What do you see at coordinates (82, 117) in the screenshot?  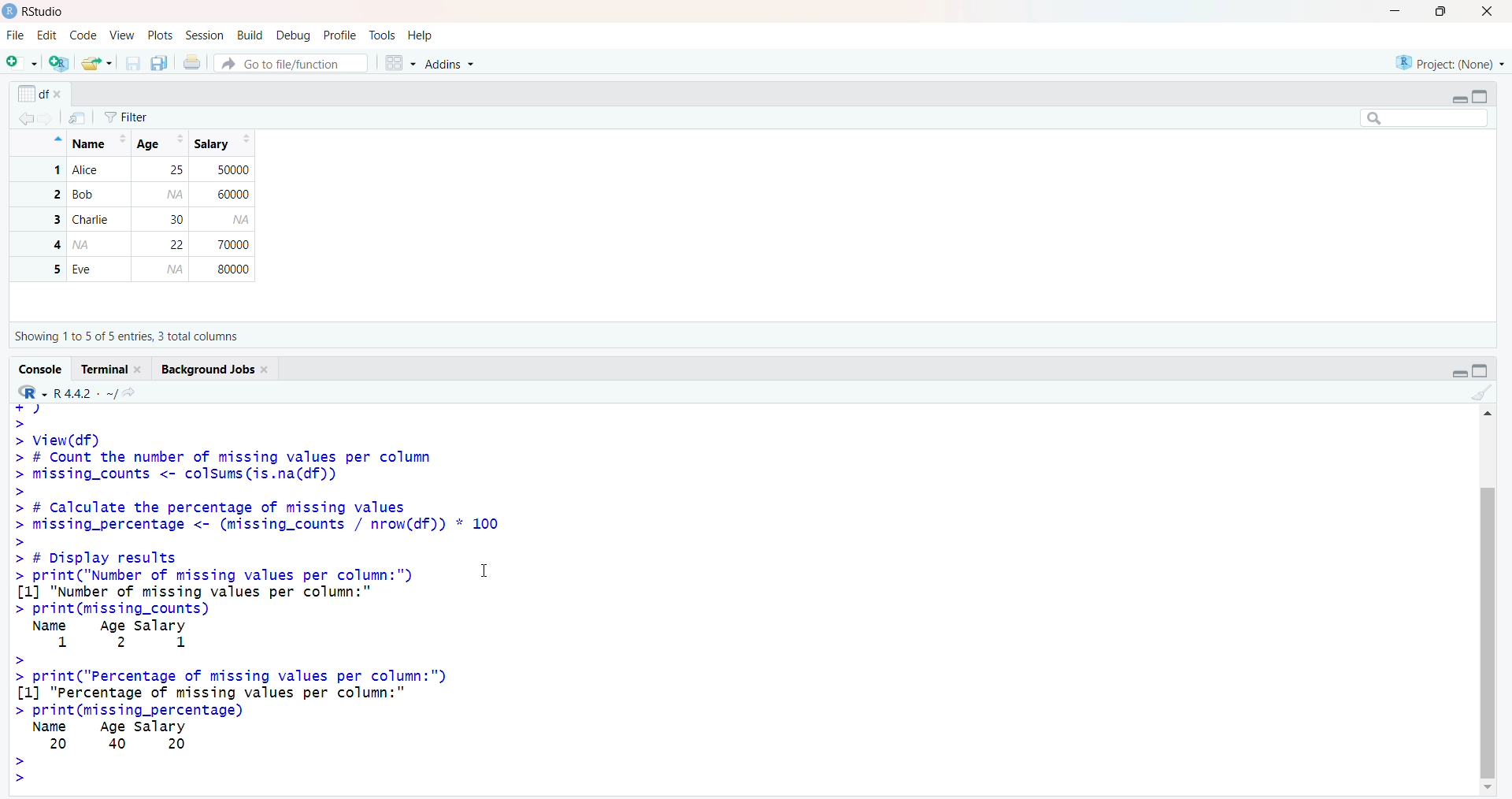 I see `Show in new window` at bounding box center [82, 117].